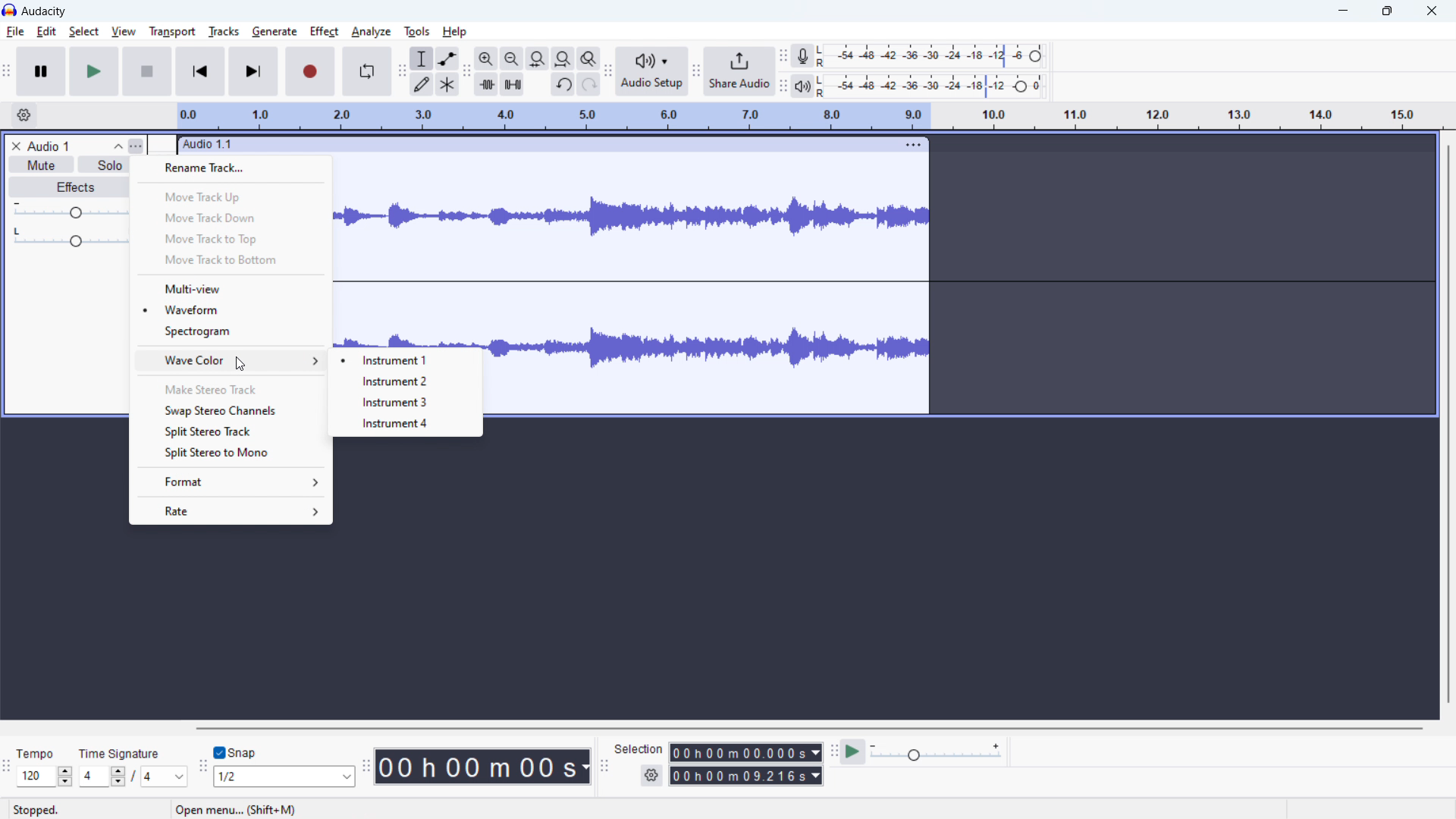 Image resolution: width=1456 pixels, height=819 pixels. What do you see at coordinates (651, 71) in the screenshot?
I see `audio setup` at bounding box center [651, 71].